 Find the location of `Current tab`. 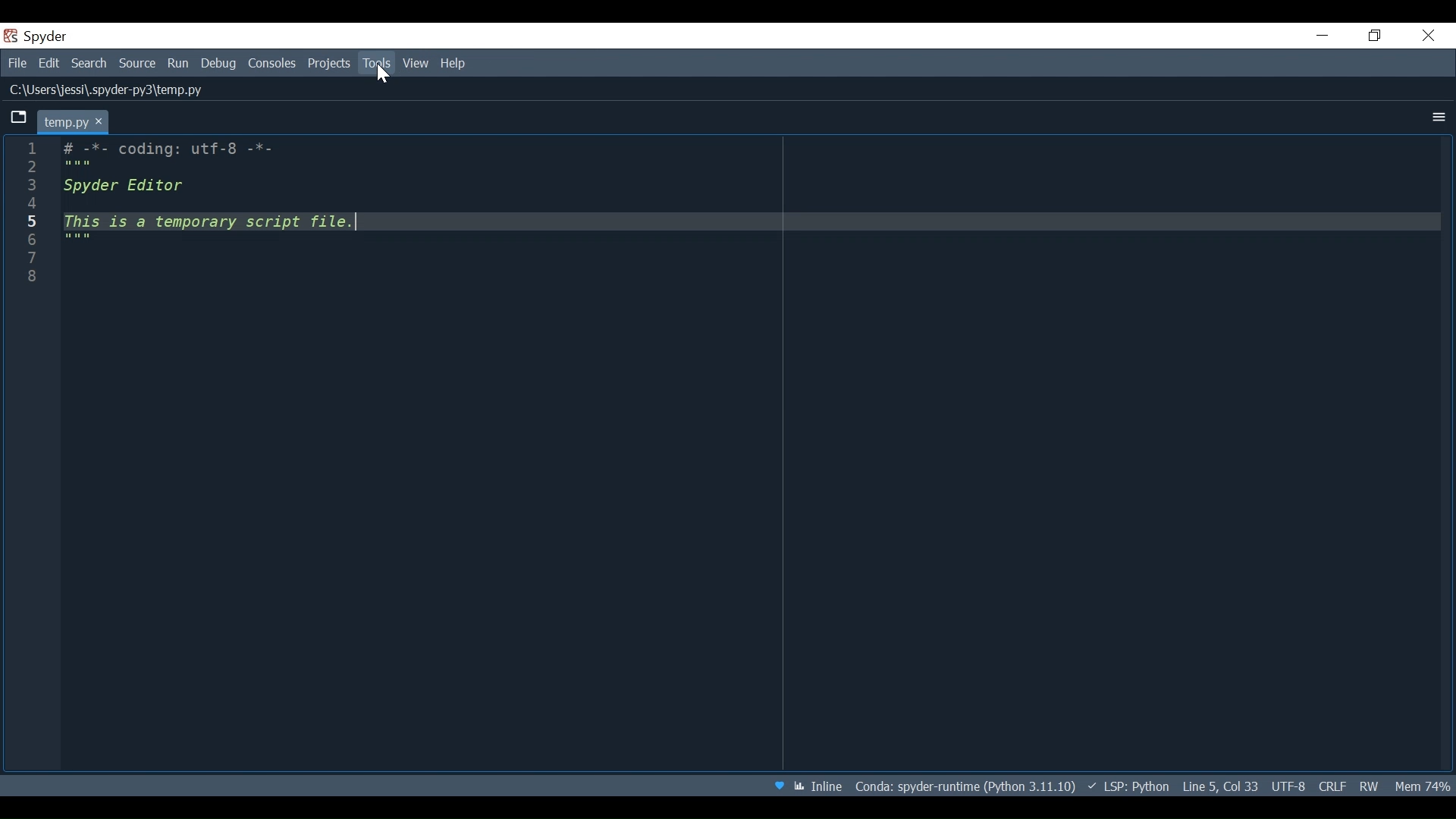

Current tab is located at coordinates (74, 120).